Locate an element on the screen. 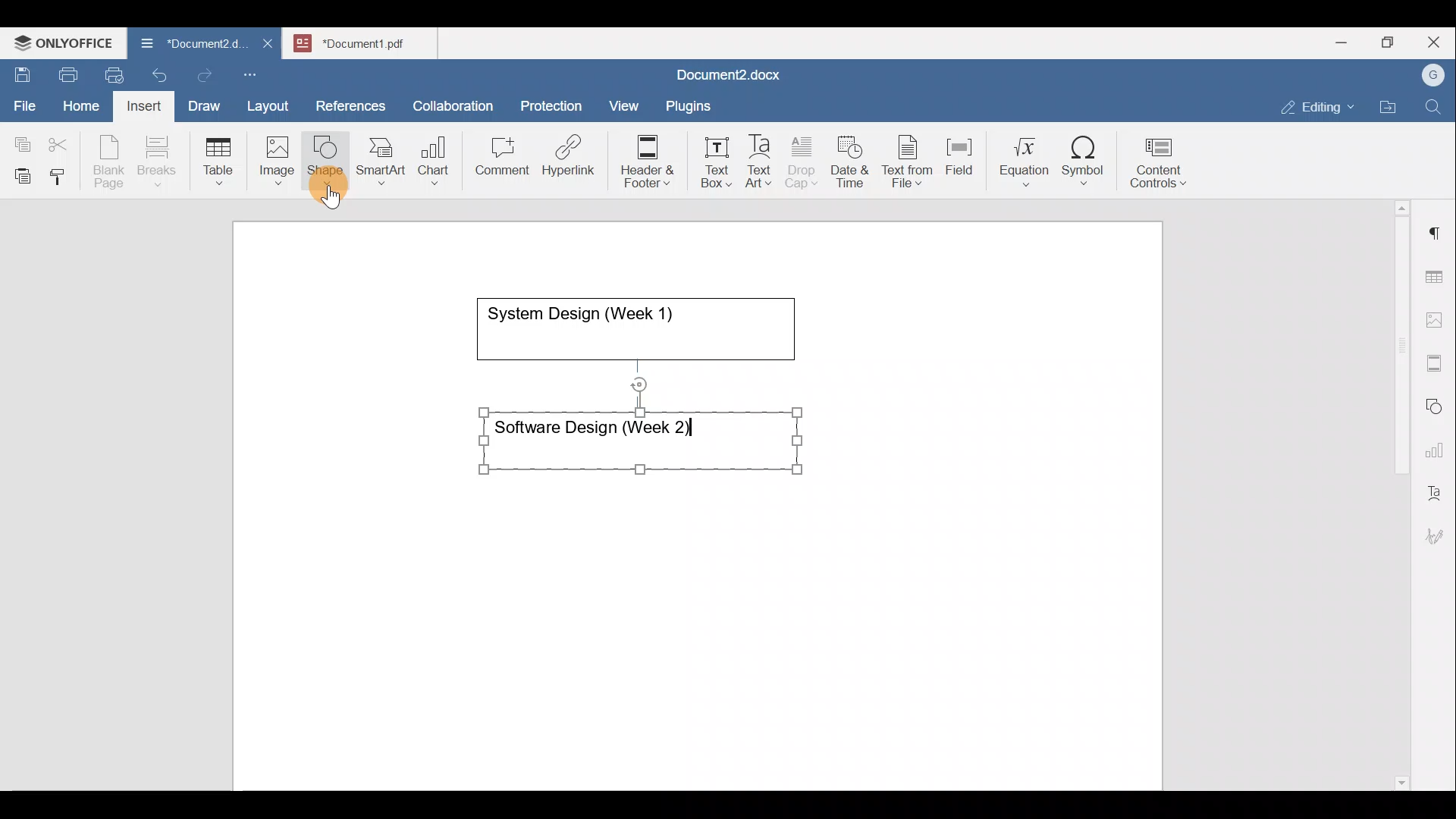 Image resolution: width=1456 pixels, height=819 pixels. File is located at coordinates (26, 101).